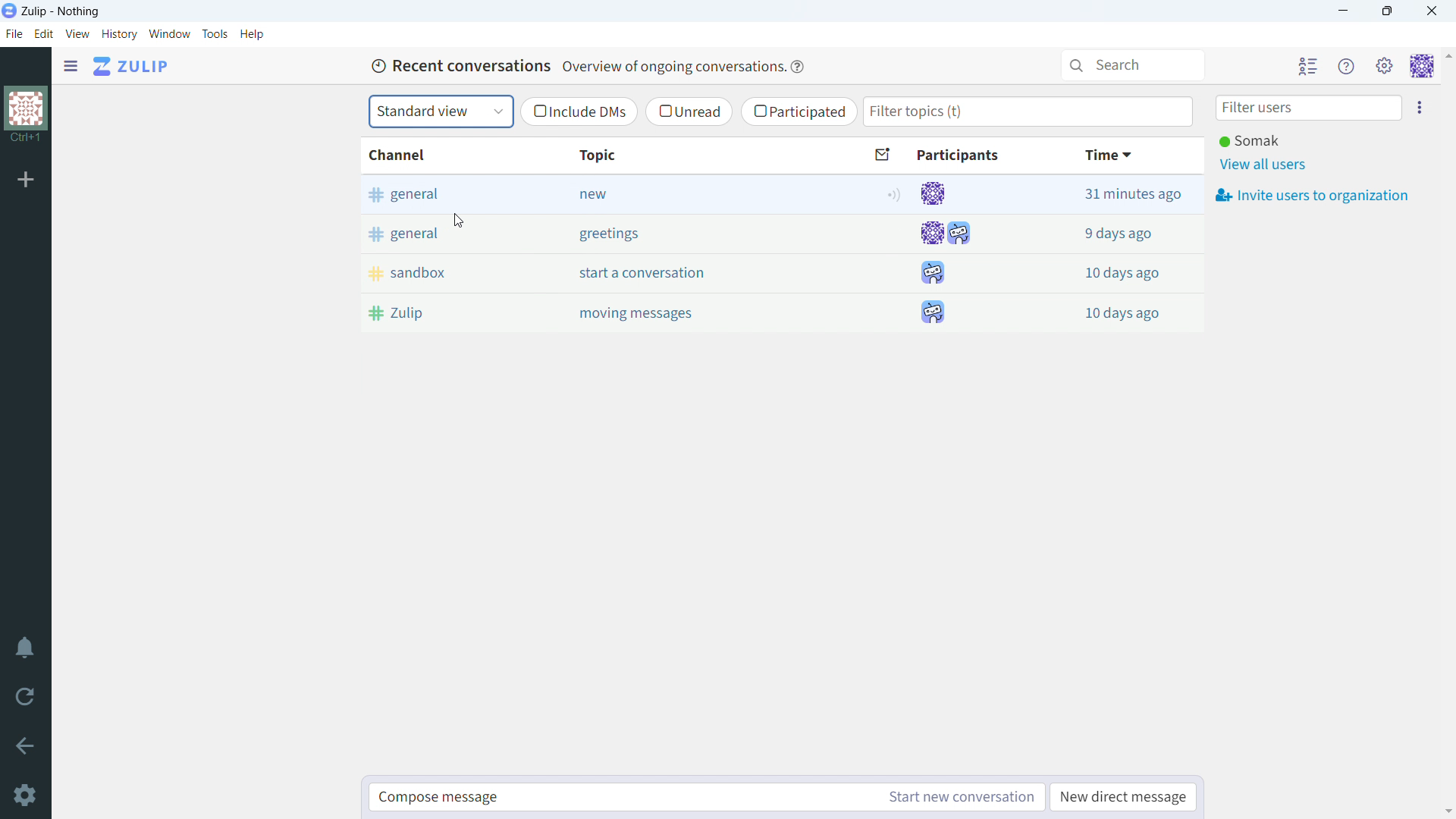 The image size is (1456, 819). I want to click on time, so click(1127, 156).